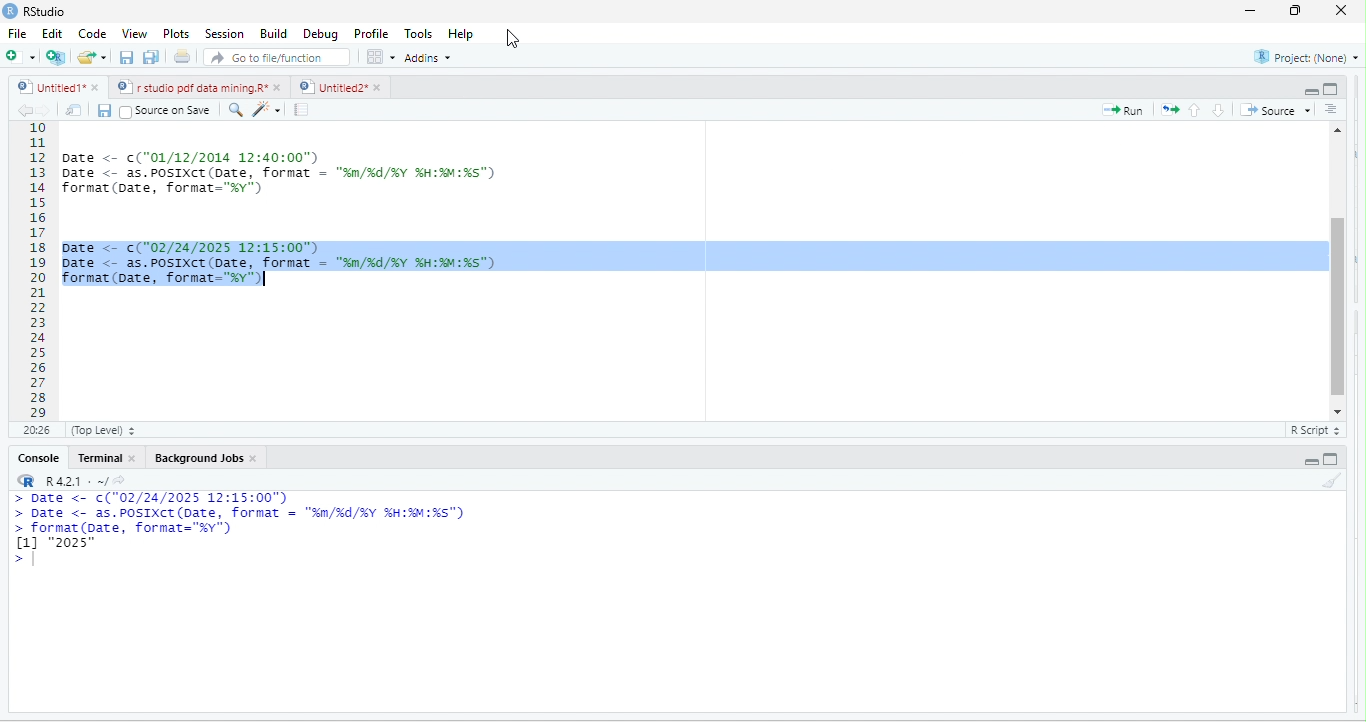 Image resolution: width=1366 pixels, height=722 pixels. Describe the element at coordinates (268, 110) in the screenshot. I see `code tools` at that location.